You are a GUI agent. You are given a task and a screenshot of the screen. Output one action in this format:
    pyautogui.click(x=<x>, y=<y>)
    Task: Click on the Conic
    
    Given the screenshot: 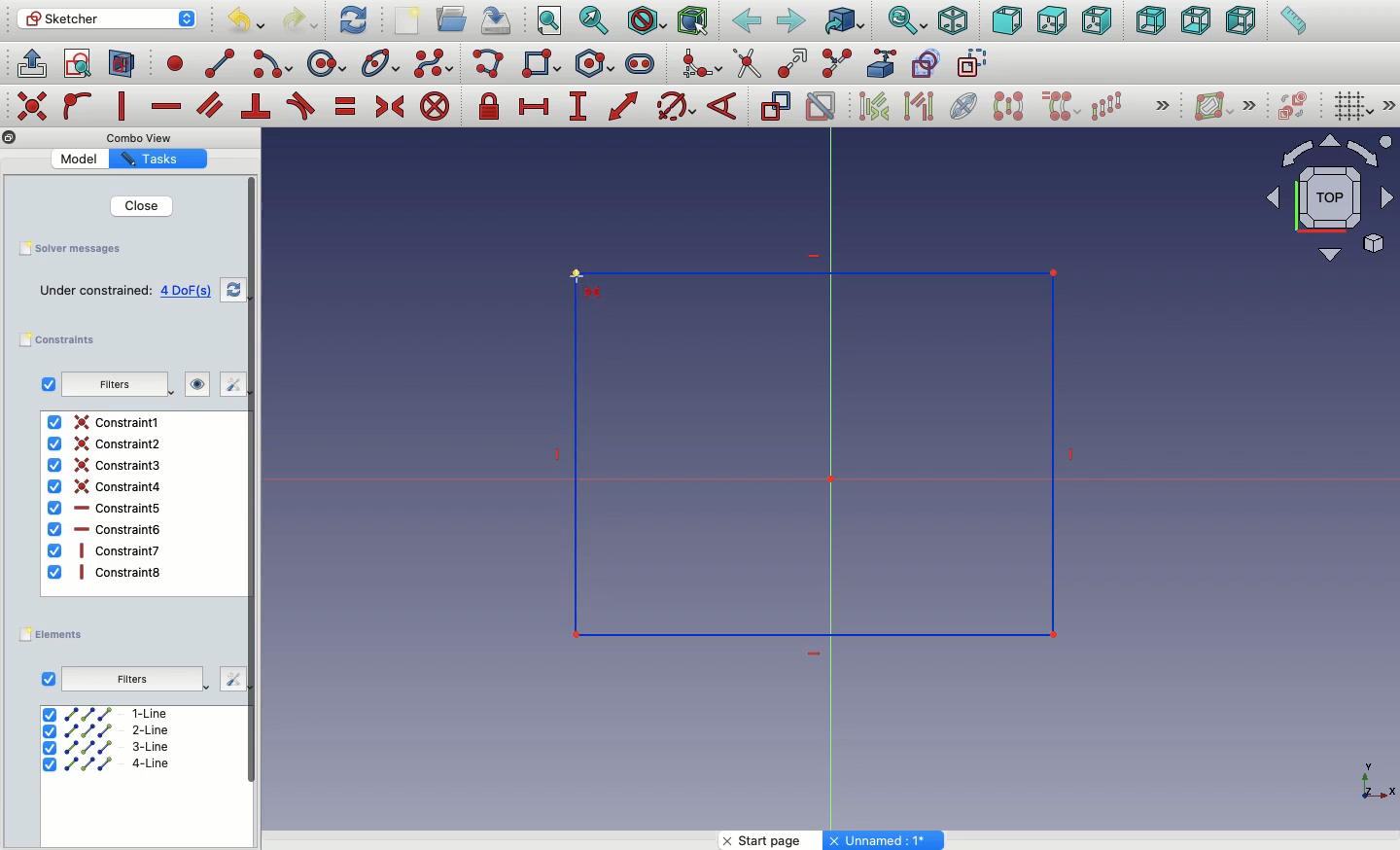 What is the action you would take?
    pyautogui.click(x=382, y=64)
    